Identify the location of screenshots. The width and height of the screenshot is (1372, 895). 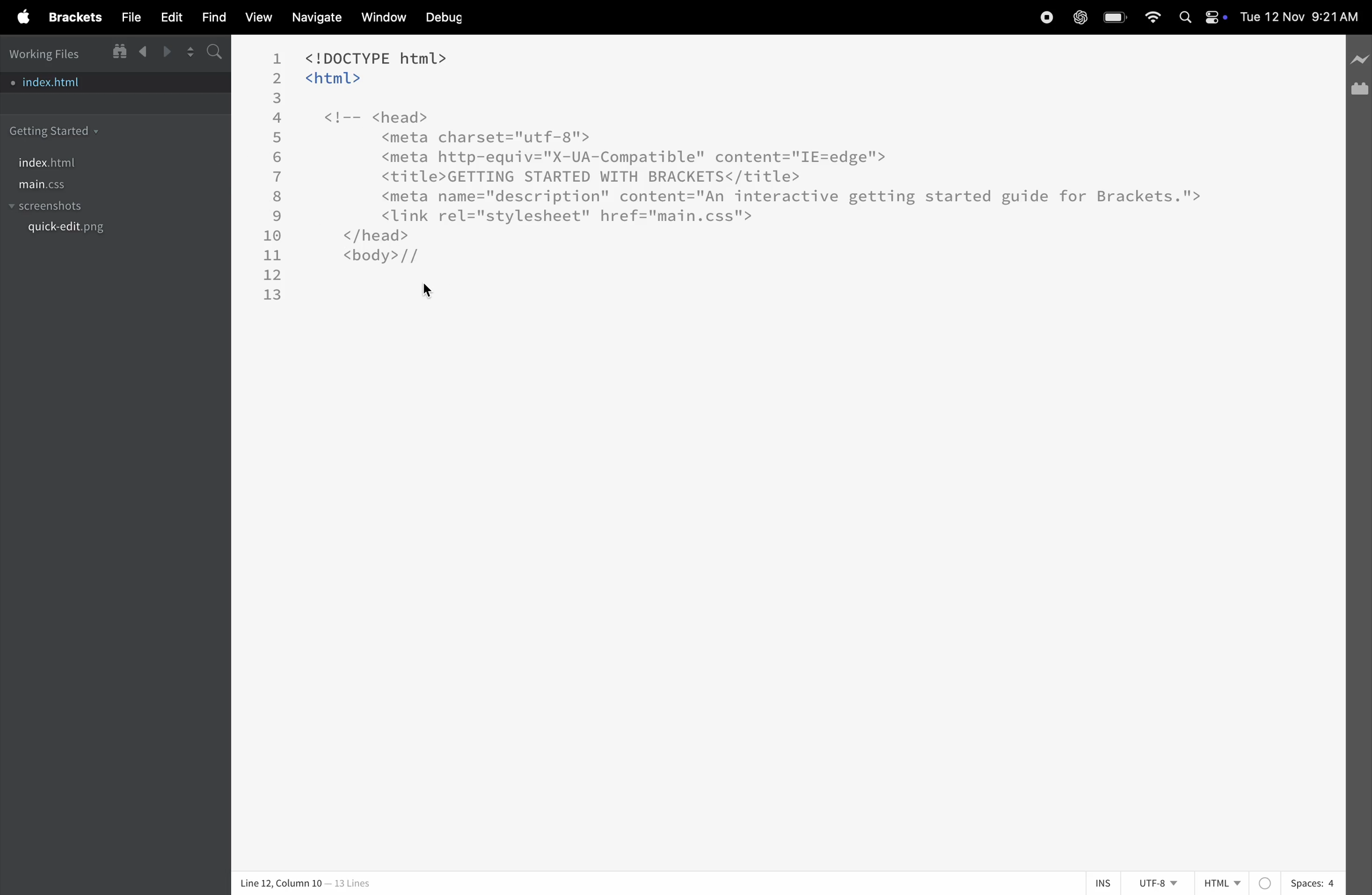
(62, 205).